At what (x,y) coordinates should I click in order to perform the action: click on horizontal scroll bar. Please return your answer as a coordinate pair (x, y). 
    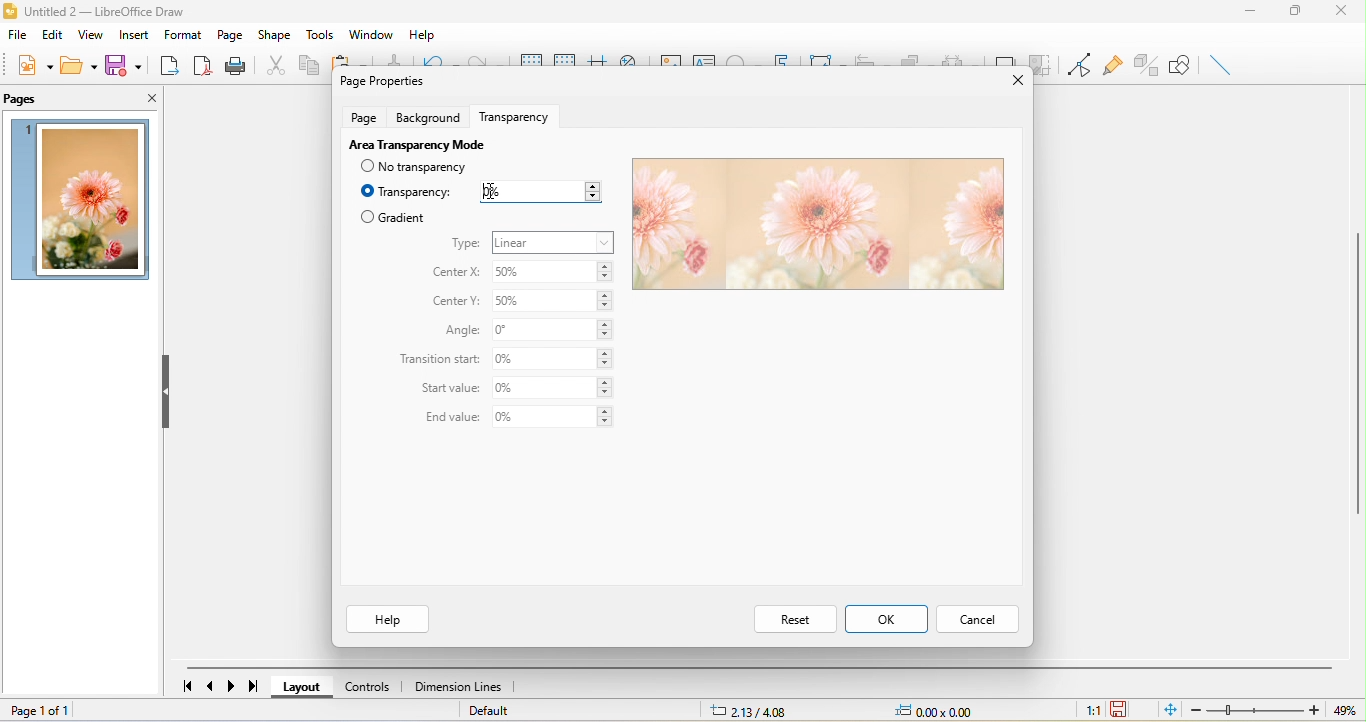
    Looking at the image, I should click on (759, 668).